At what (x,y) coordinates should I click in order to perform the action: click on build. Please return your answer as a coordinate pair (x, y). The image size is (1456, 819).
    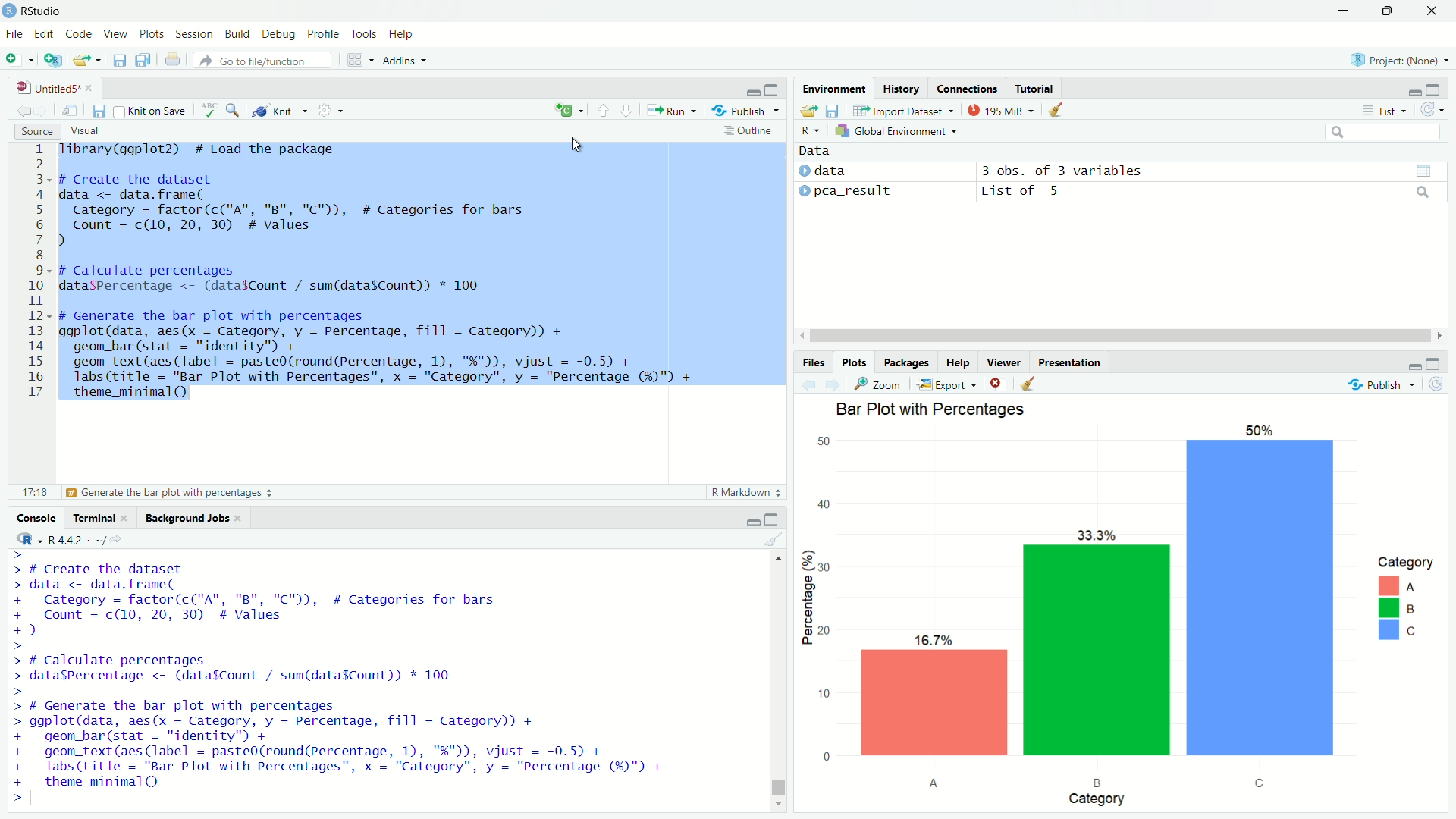
    Looking at the image, I should click on (241, 36).